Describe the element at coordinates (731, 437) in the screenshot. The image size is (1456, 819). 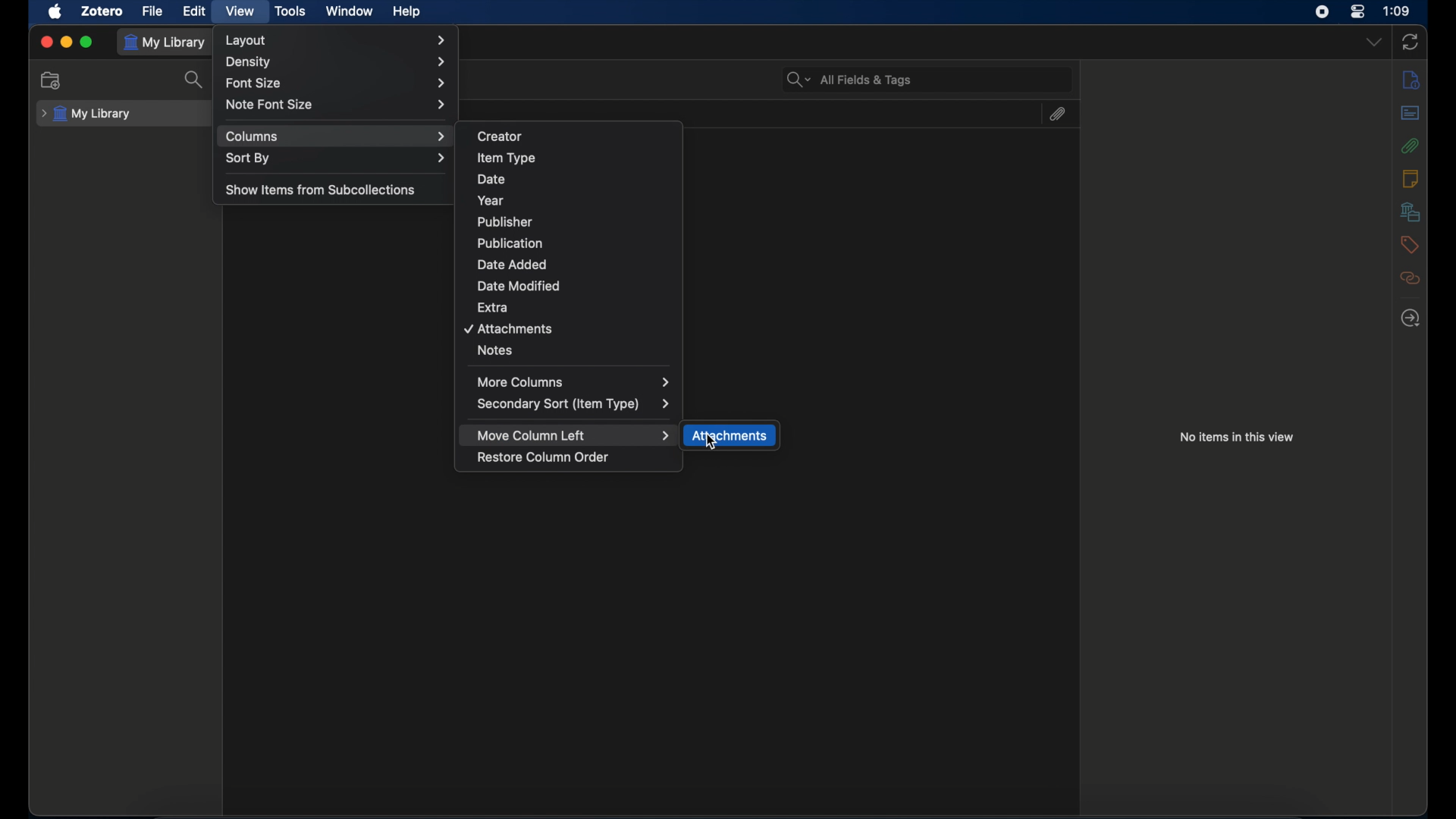
I see `attachments` at that location.